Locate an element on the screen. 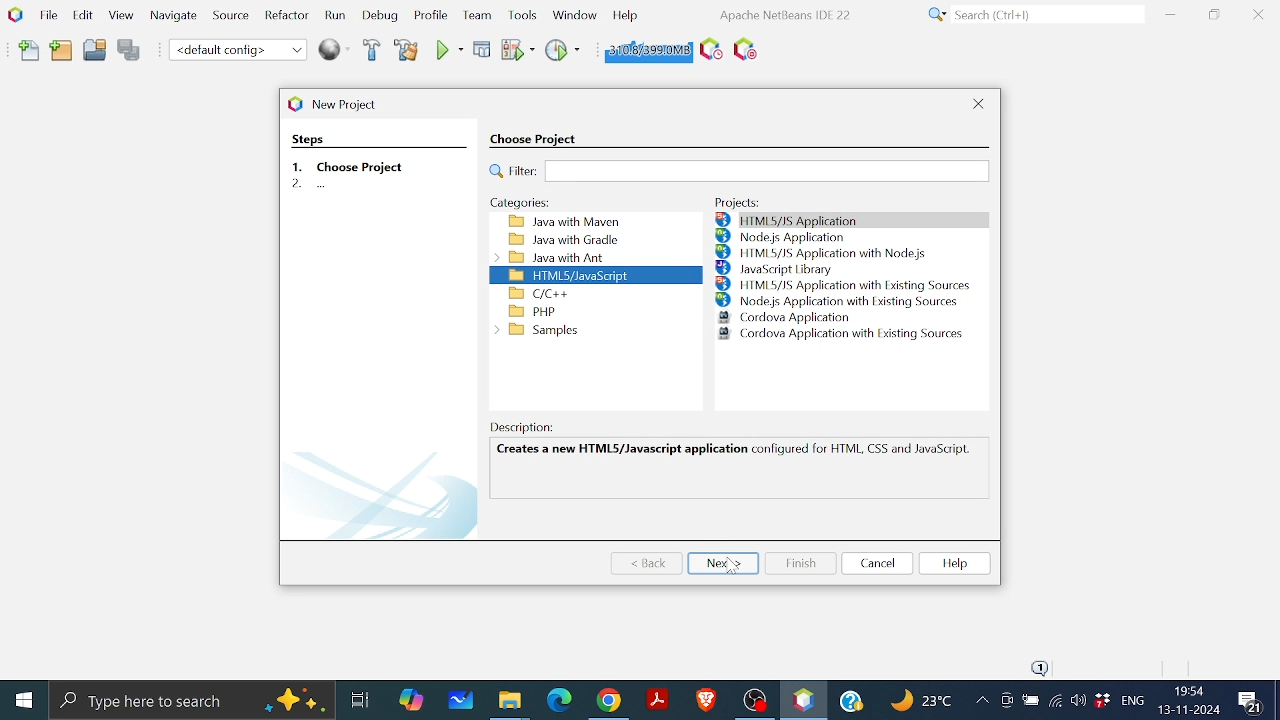 This screenshot has height=720, width=1280. Build project is located at coordinates (374, 51).